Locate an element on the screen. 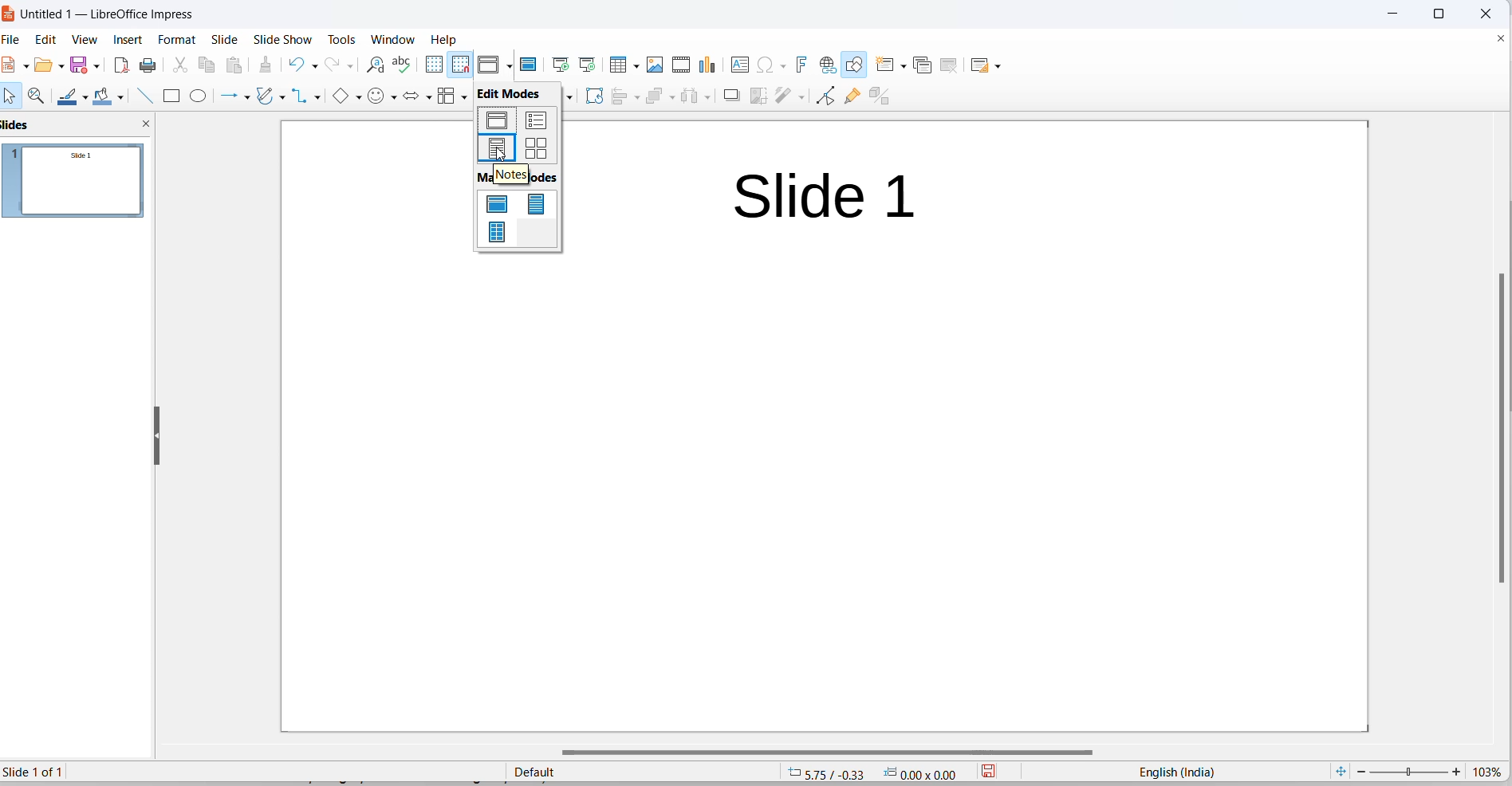 The image size is (1512, 786). insert special characters is located at coordinates (765, 65).